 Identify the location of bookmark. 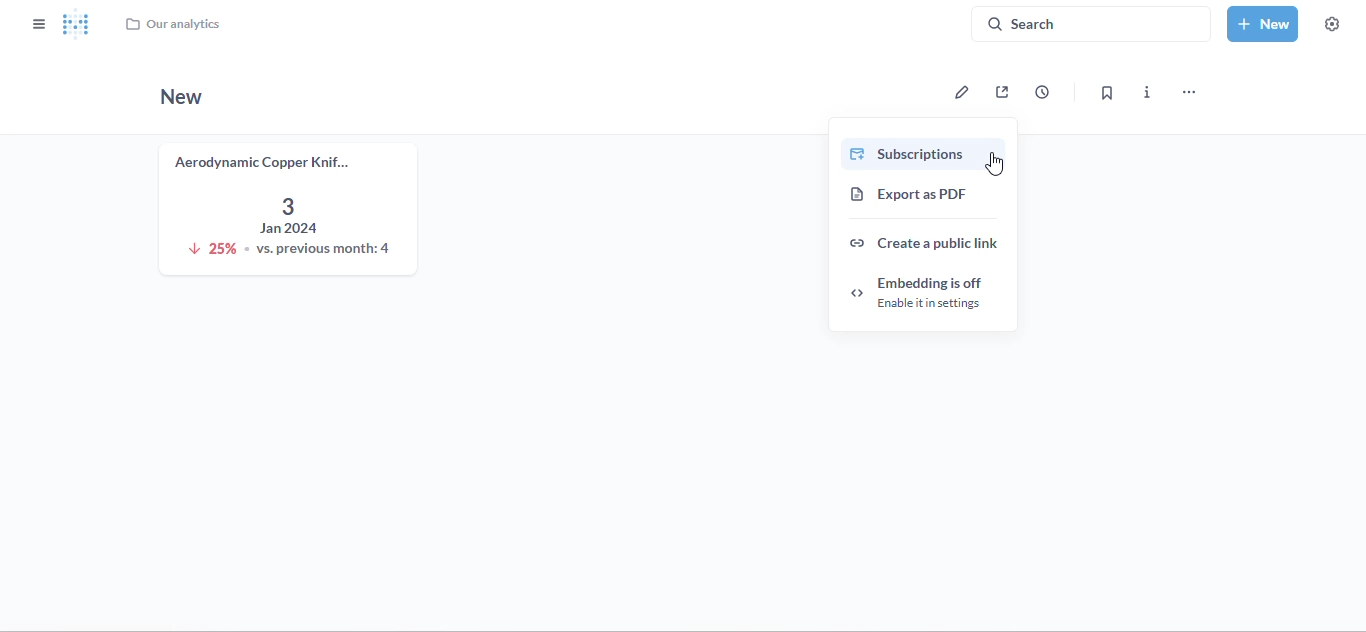
(1106, 92).